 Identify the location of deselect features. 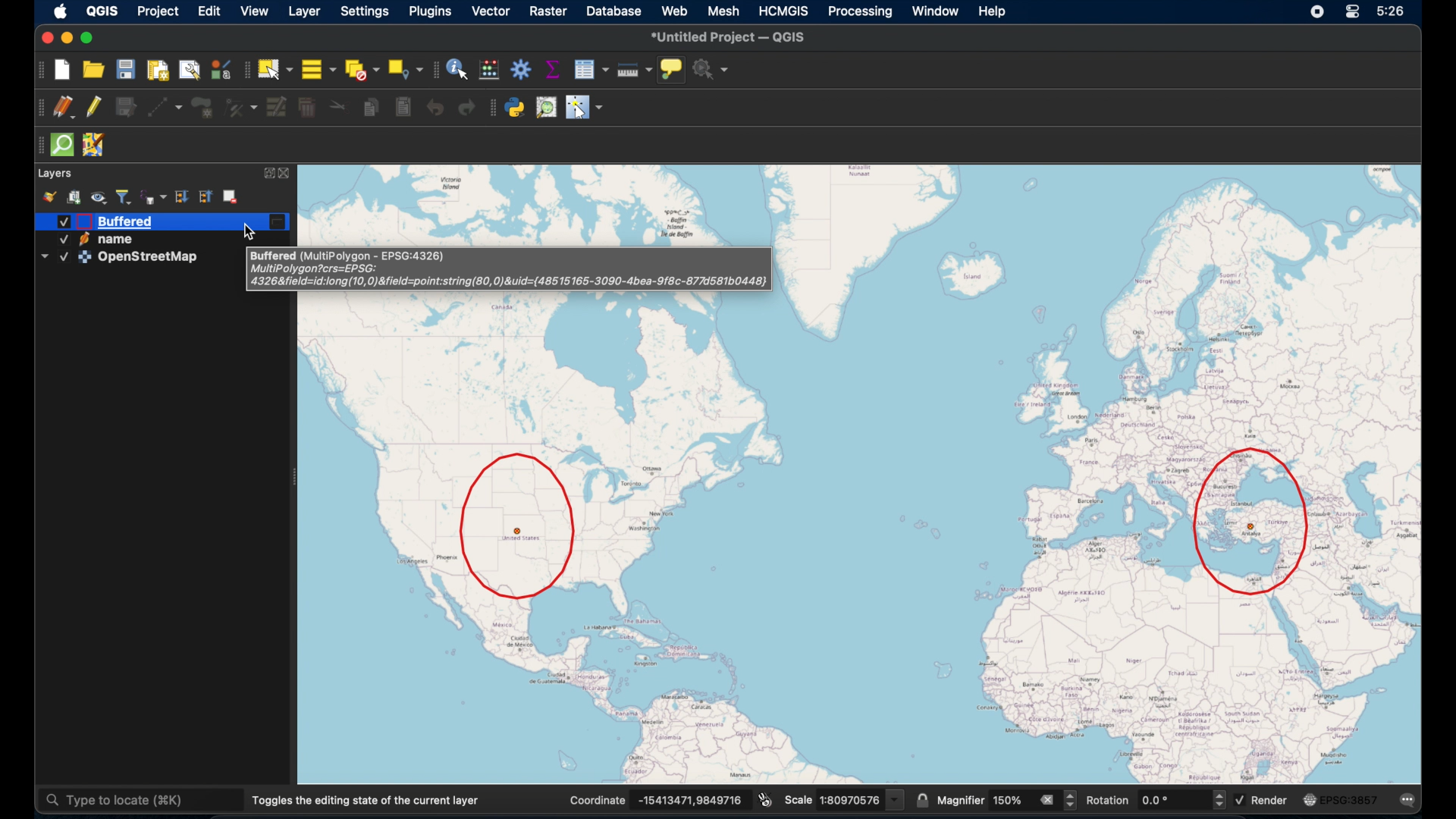
(360, 69).